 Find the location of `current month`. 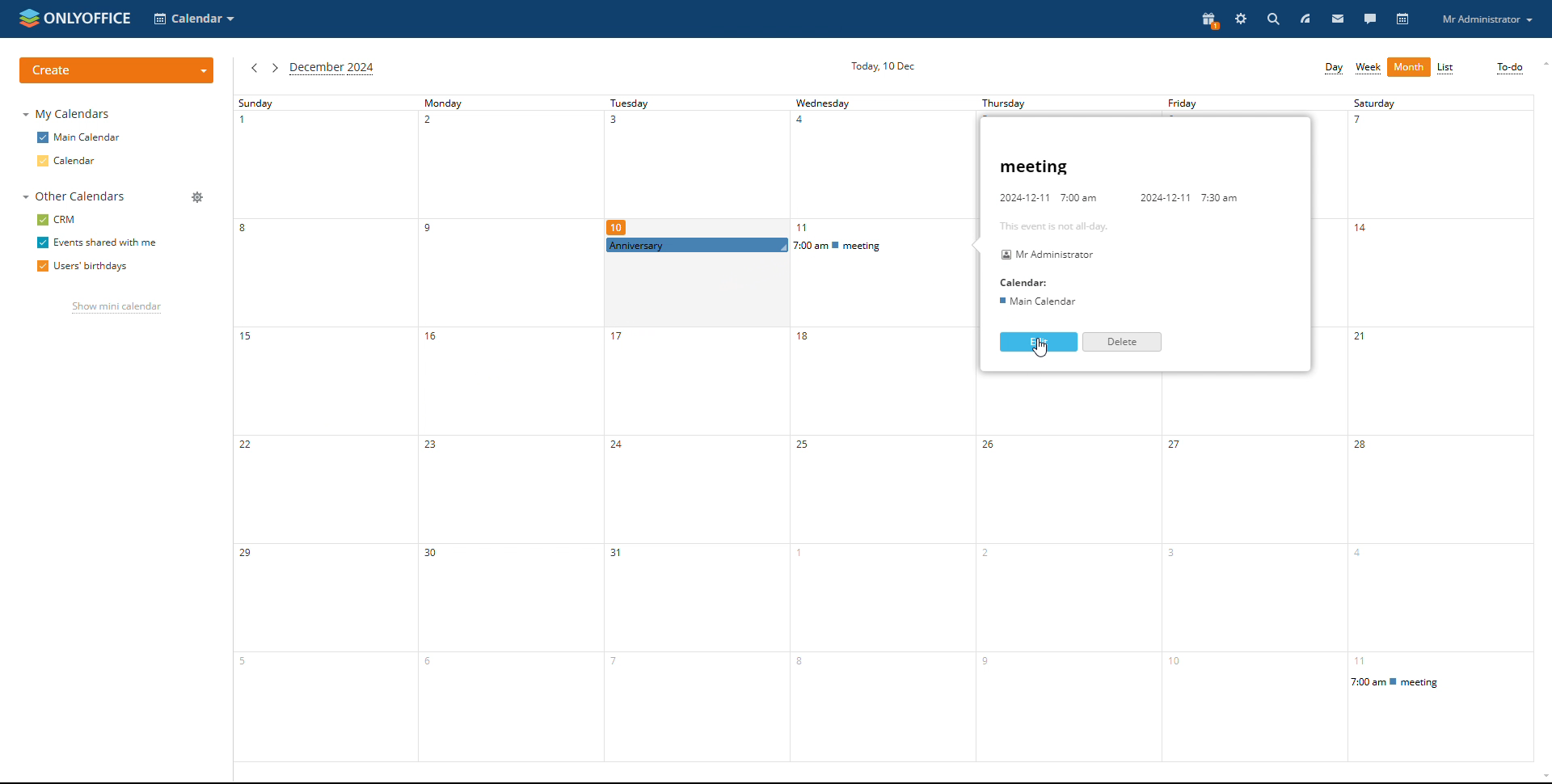

current month is located at coordinates (334, 70).